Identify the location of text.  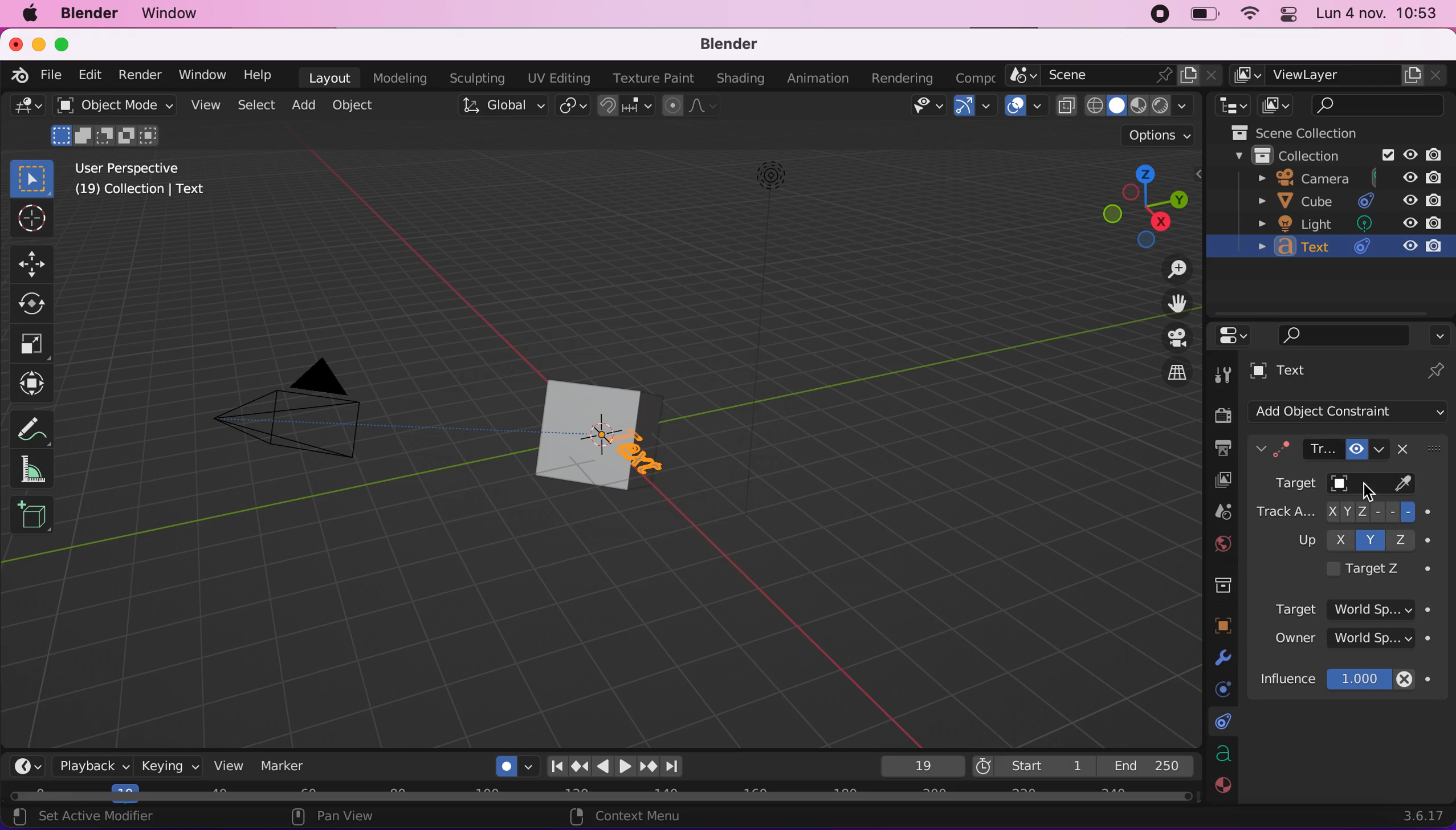
(1328, 373).